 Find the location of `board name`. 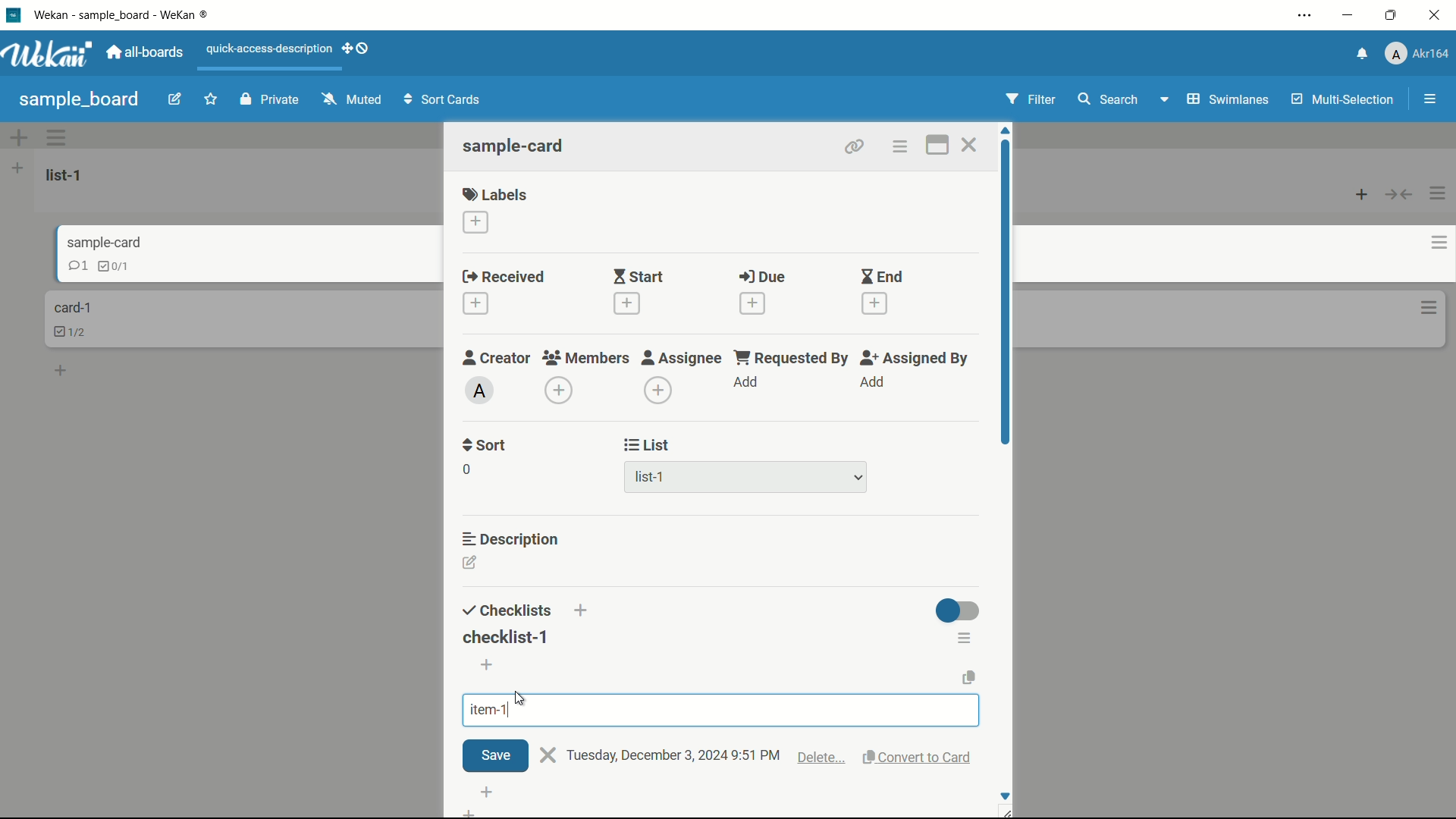

board name is located at coordinates (79, 101).